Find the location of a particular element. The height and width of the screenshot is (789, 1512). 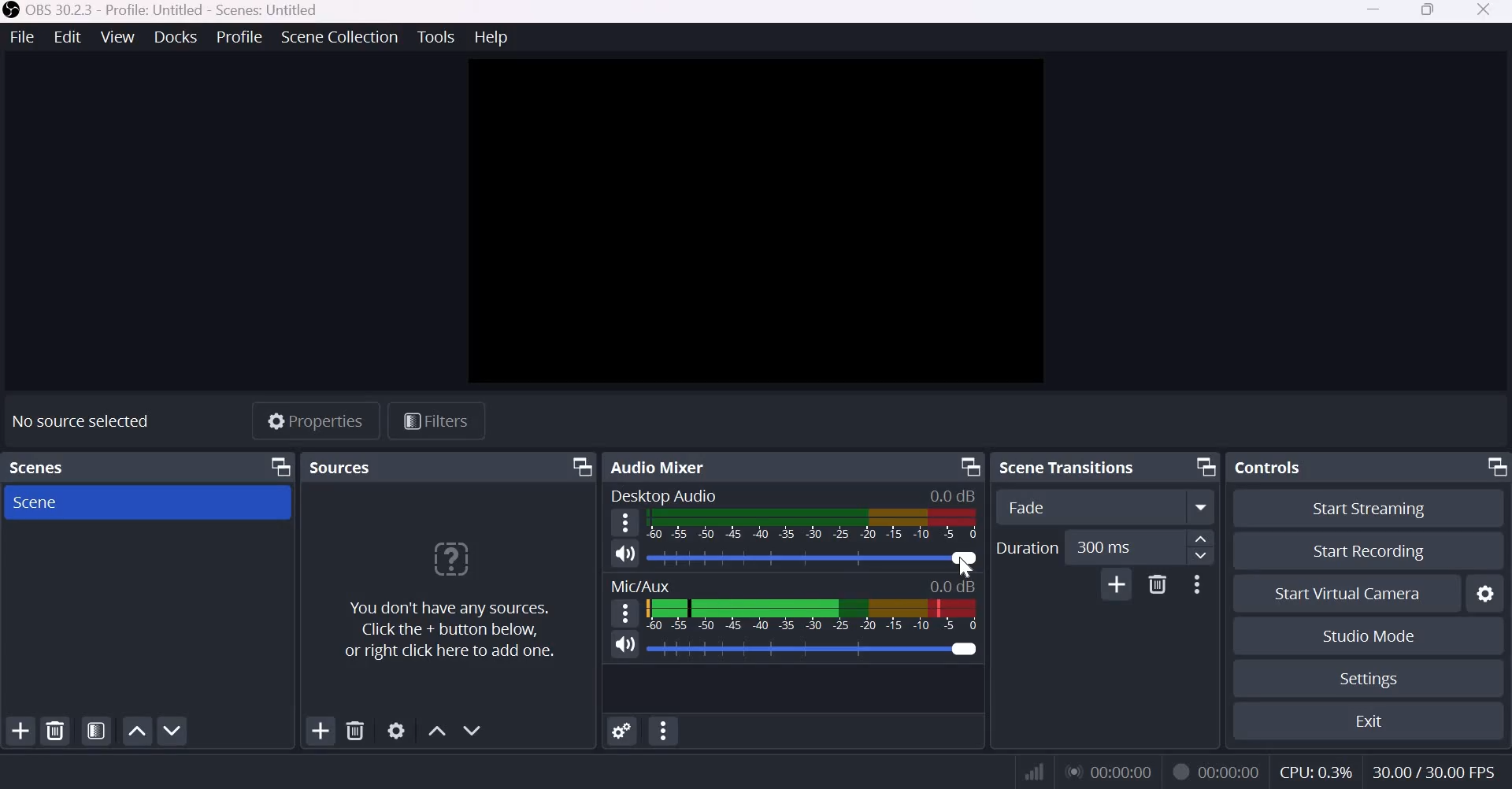

Studio Mode is located at coordinates (1367, 636).